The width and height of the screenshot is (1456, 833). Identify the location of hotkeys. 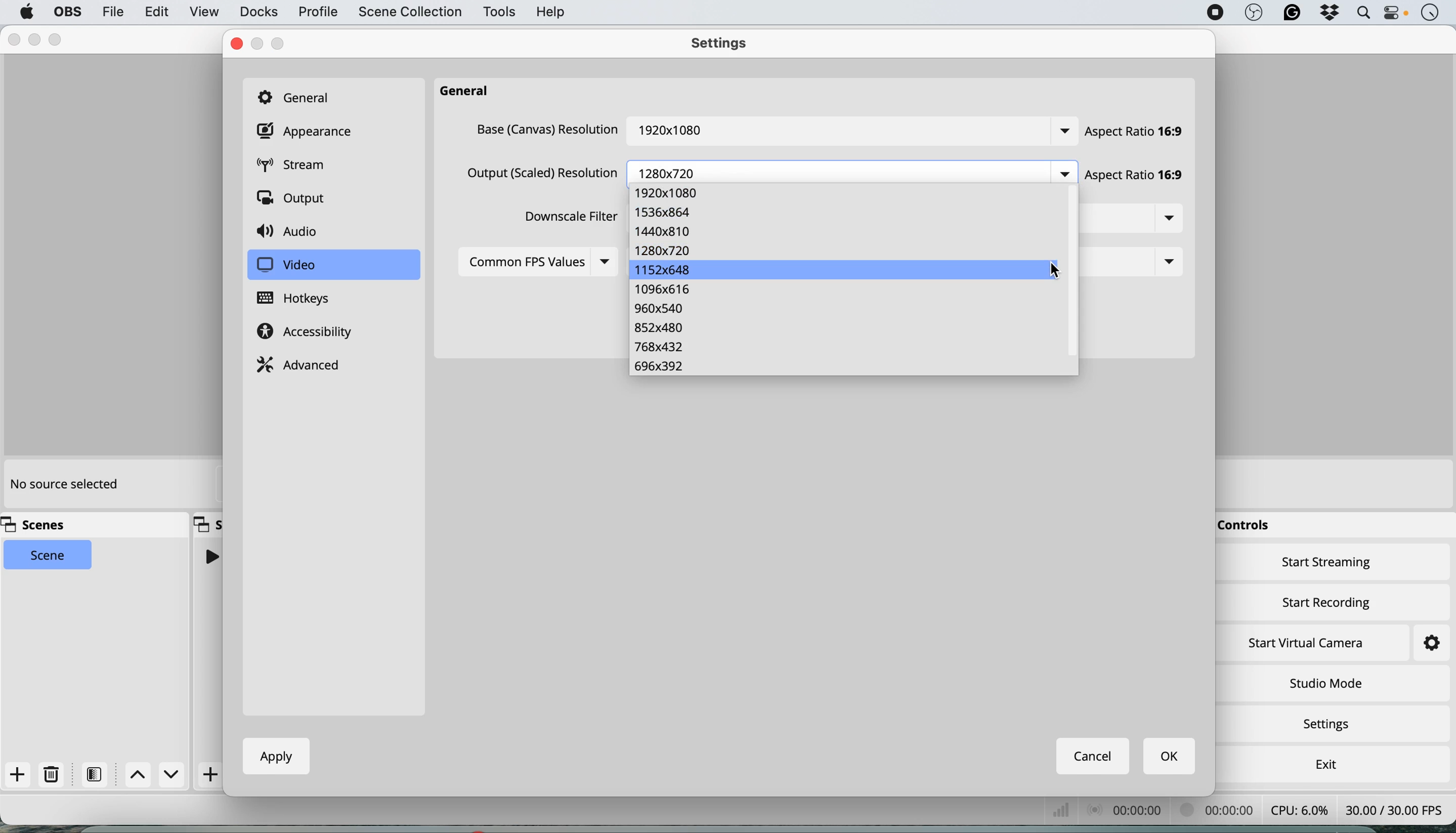
(303, 299).